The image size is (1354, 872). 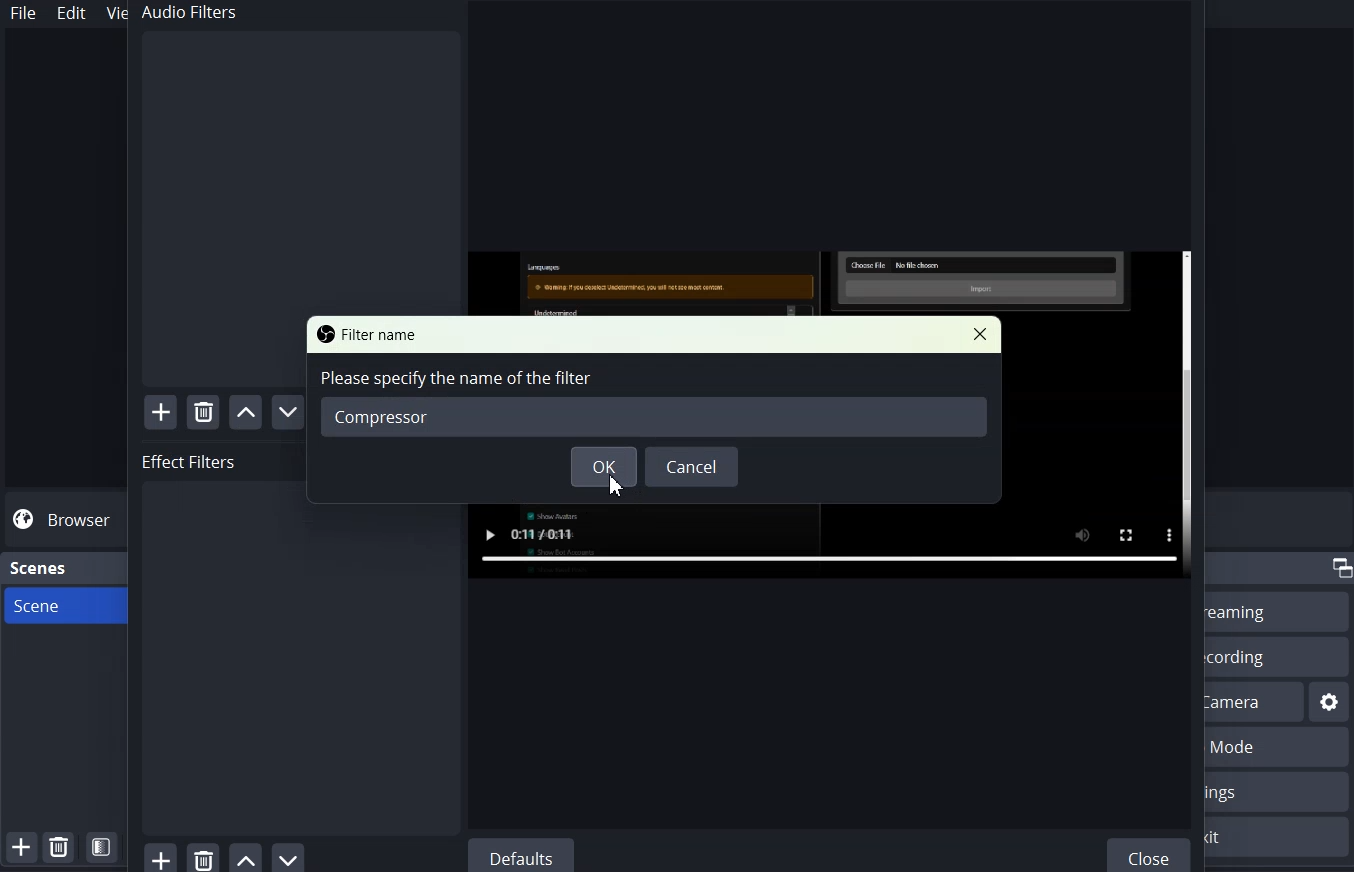 What do you see at coordinates (297, 156) in the screenshot?
I see `Audio Filters` at bounding box center [297, 156].